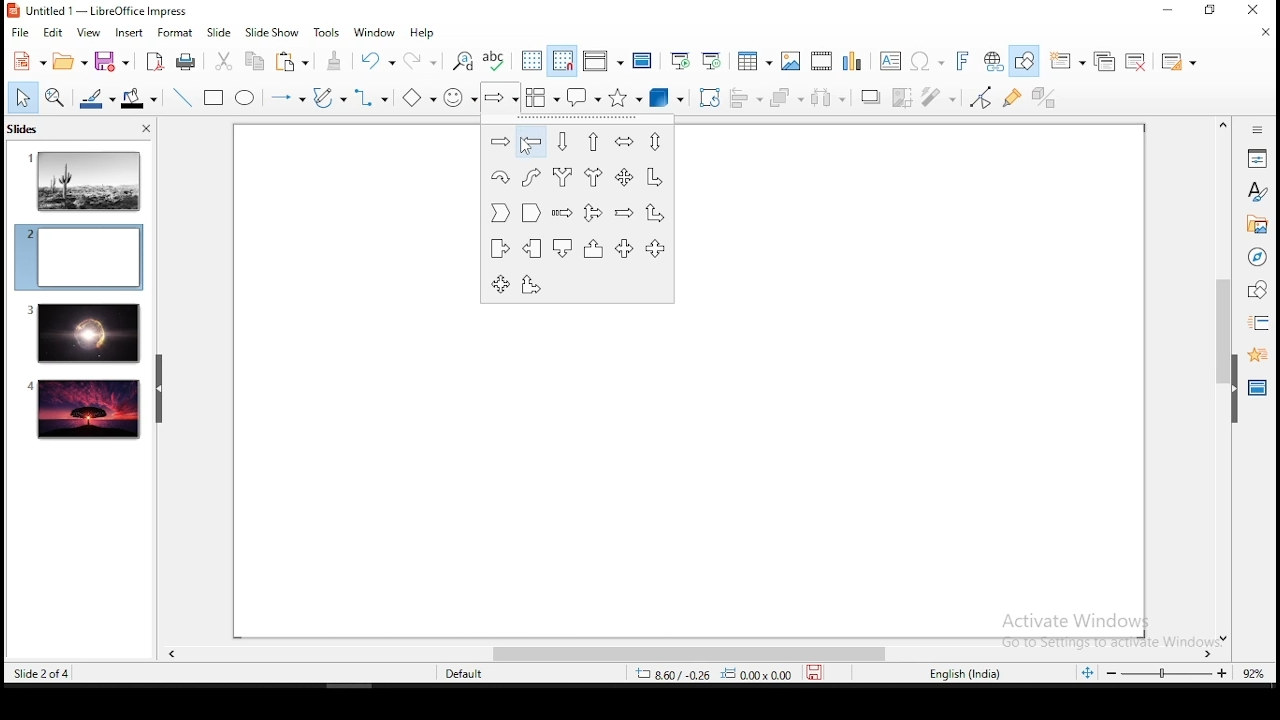 The width and height of the screenshot is (1280, 720). What do you see at coordinates (655, 249) in the screenshot?
I see `up and down arrow callout` at bounding box center [655, 249].